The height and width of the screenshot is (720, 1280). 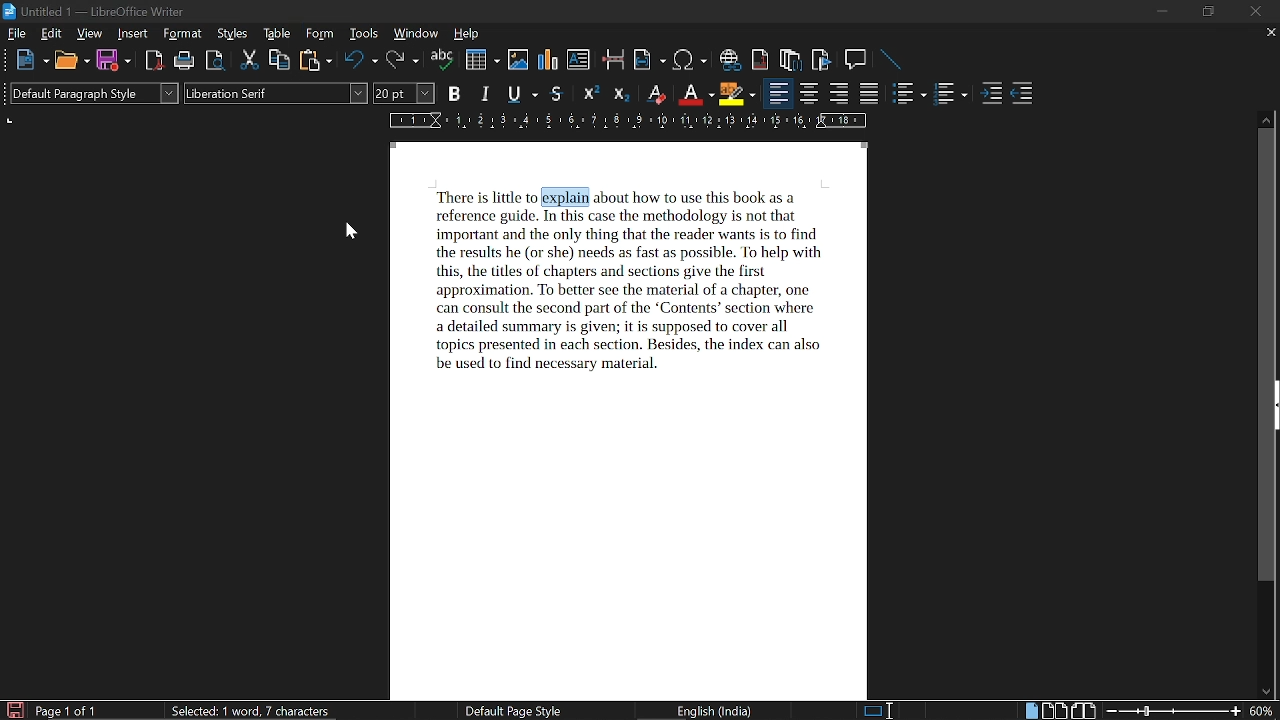 What do you see at coordinates (184, 35) in the screenshot?
I see `format` at bounding box center [184, 35].